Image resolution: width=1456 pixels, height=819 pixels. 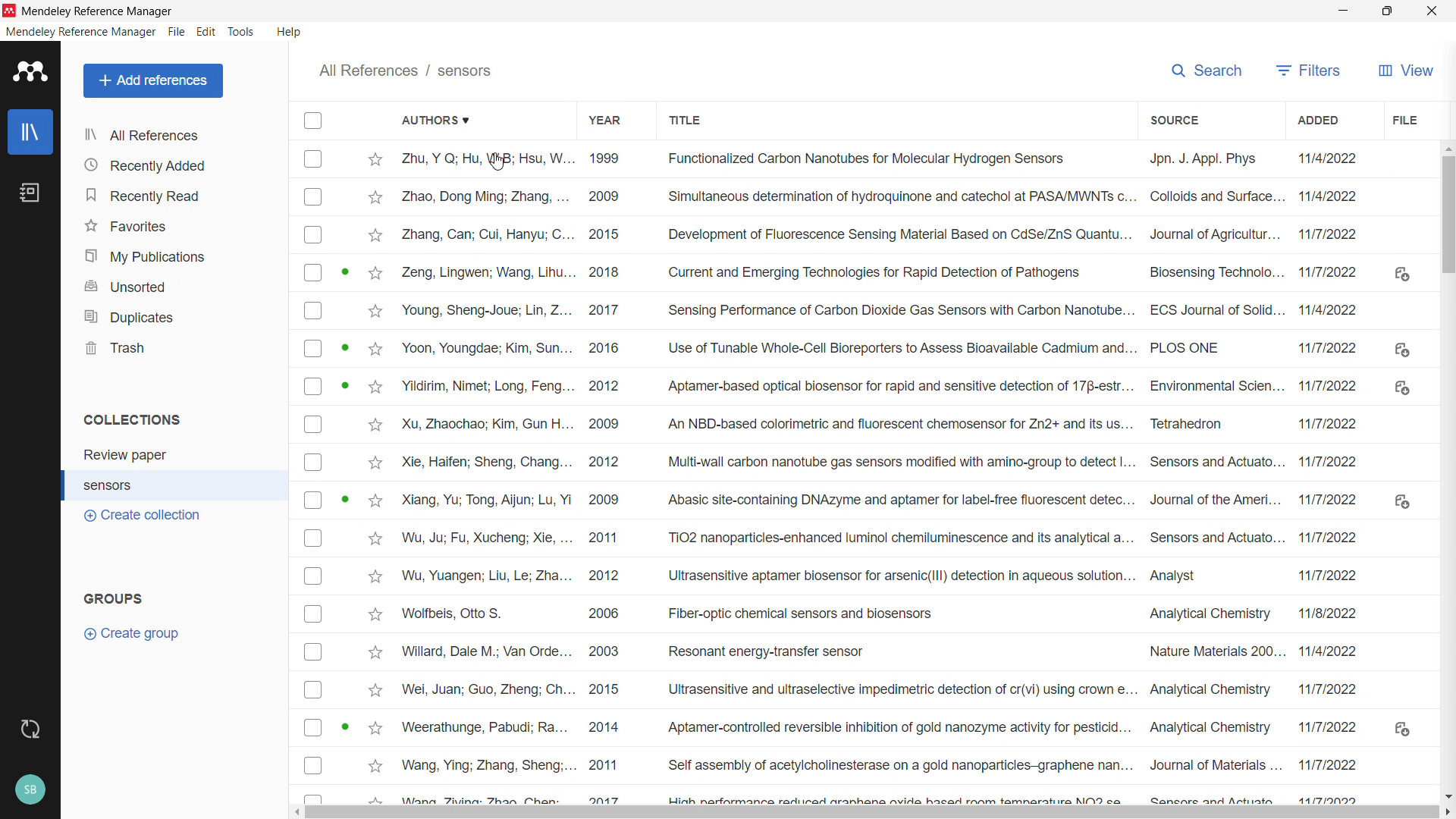 What do you see at coordinates (315, 472) in the screenshot?
I see `Select individual entries ` at bounding box center [315, 472].